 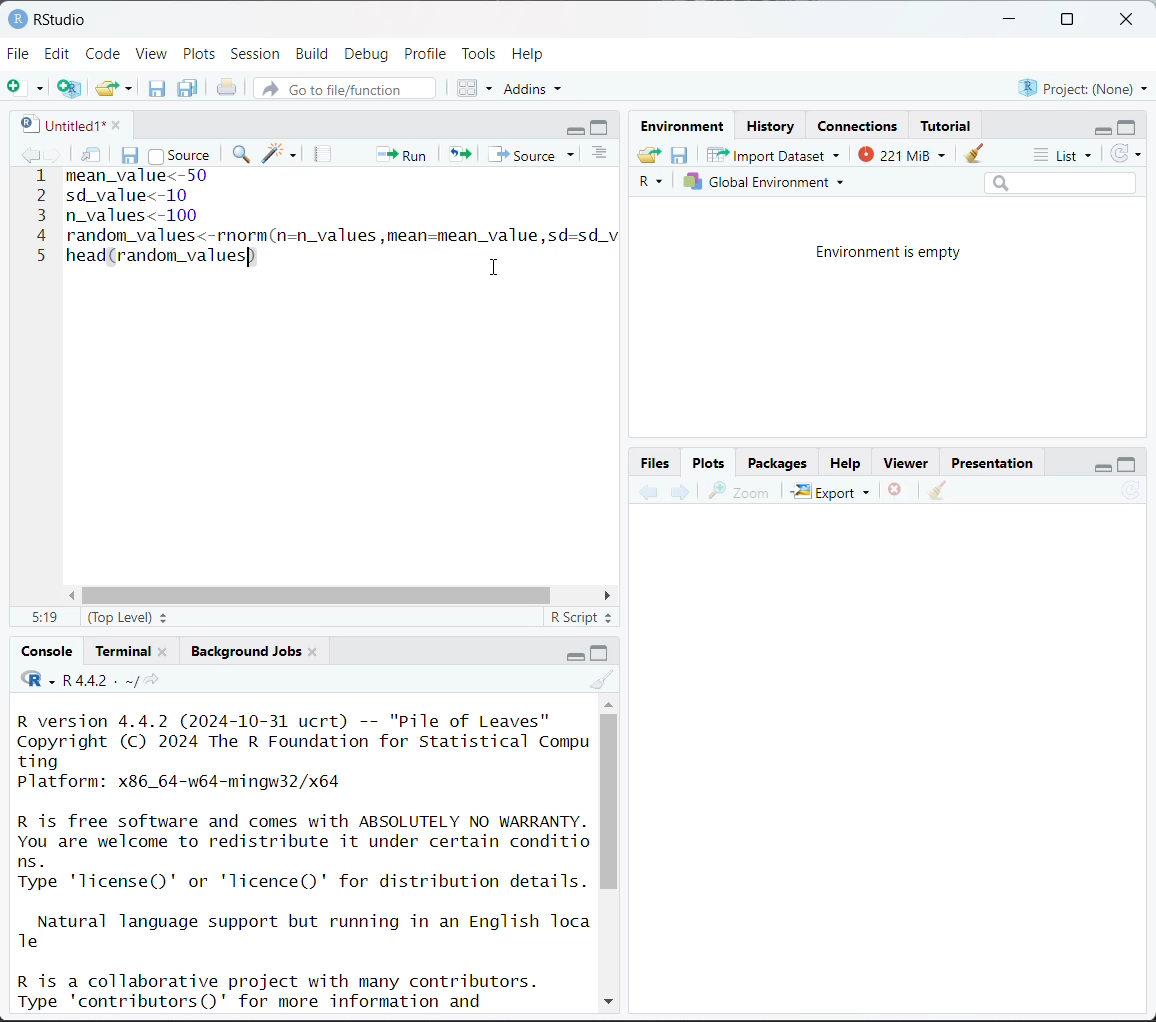 I want to click on line number, so click(x=40, y=217).